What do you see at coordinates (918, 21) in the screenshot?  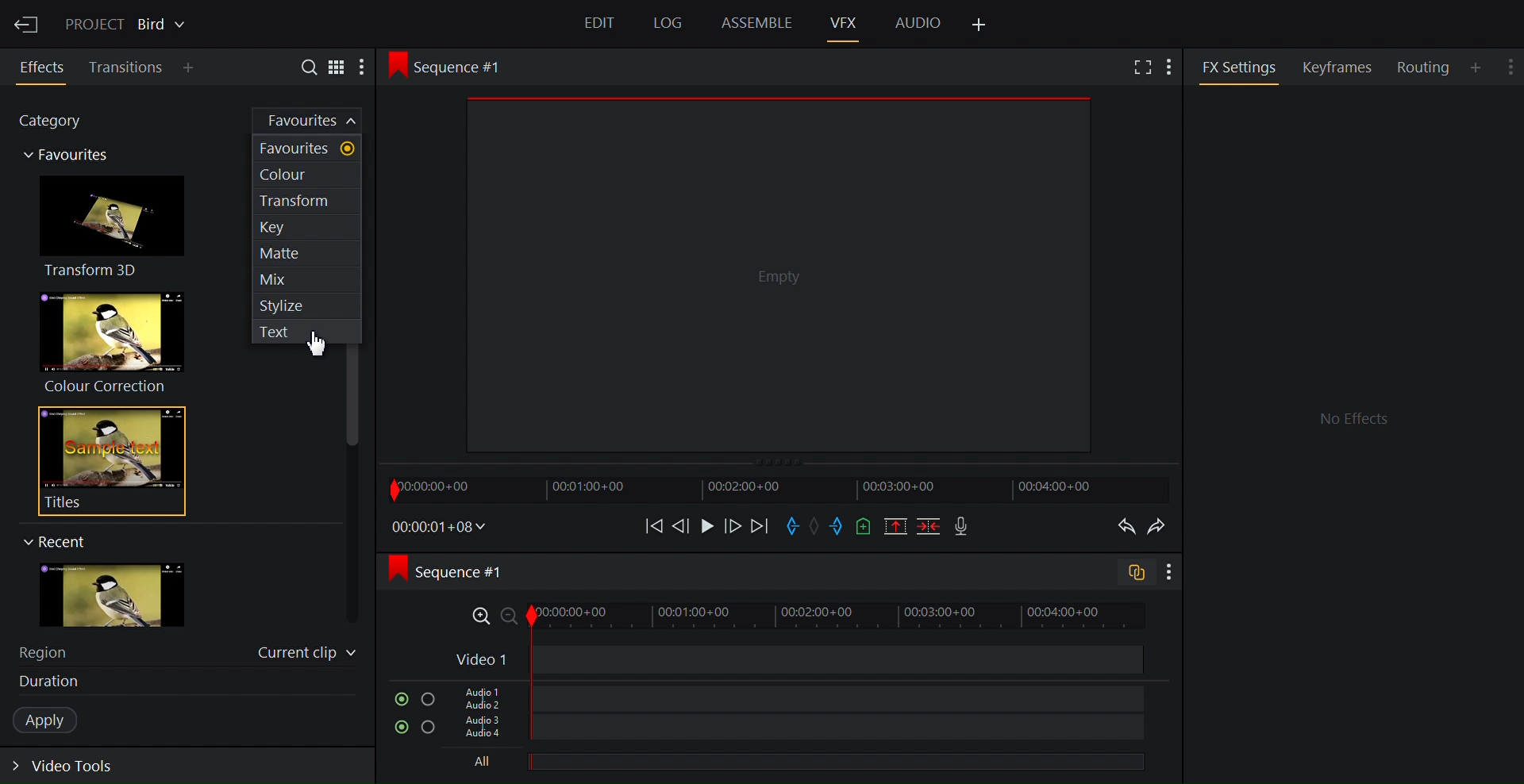 I see `Audio` at bounding box center [918, 21].